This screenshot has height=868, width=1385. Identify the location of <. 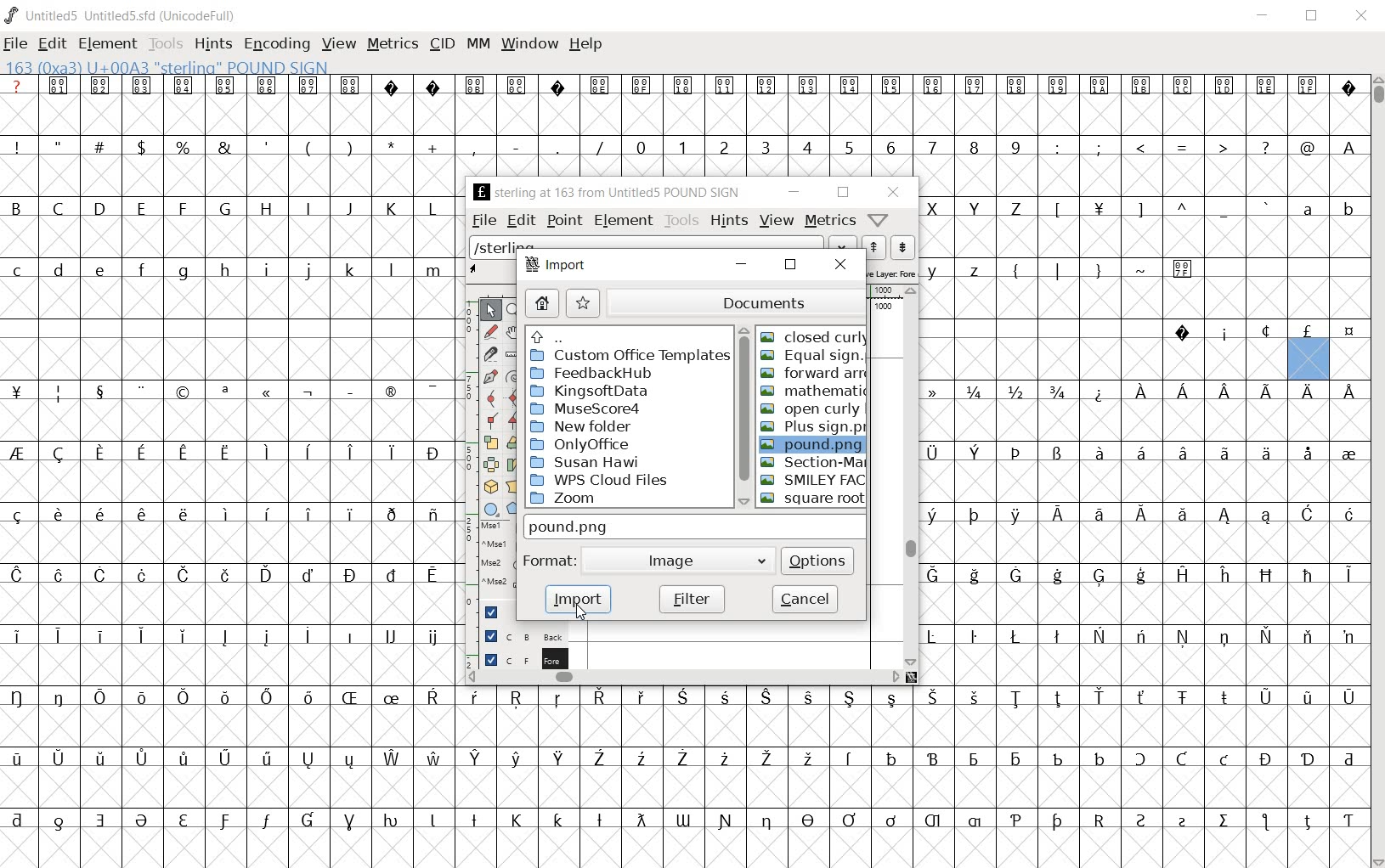
(1139, 148).